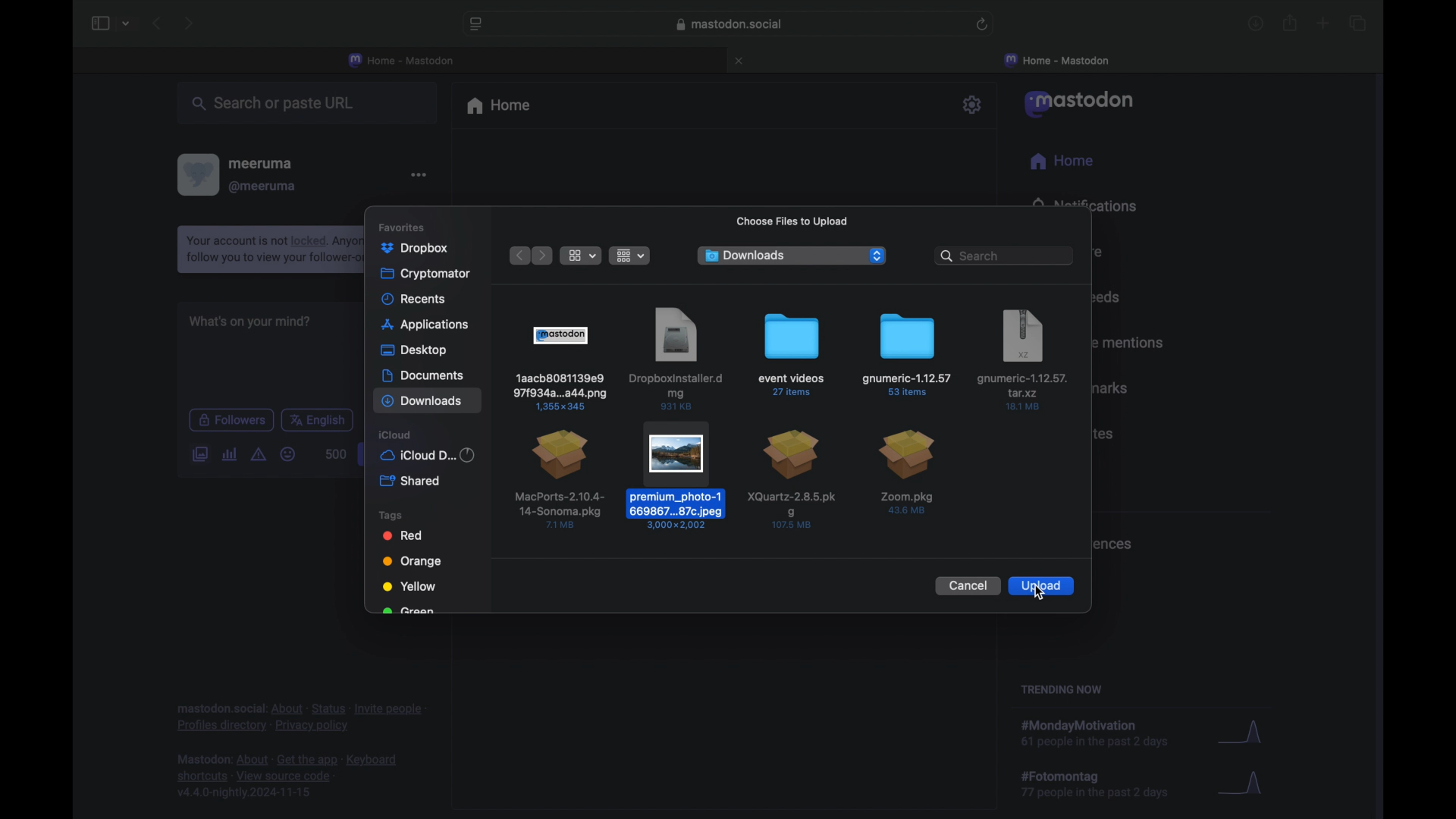 The width and height of the screenshot is (1456, 819). I want to click on home, so click(500, 107).